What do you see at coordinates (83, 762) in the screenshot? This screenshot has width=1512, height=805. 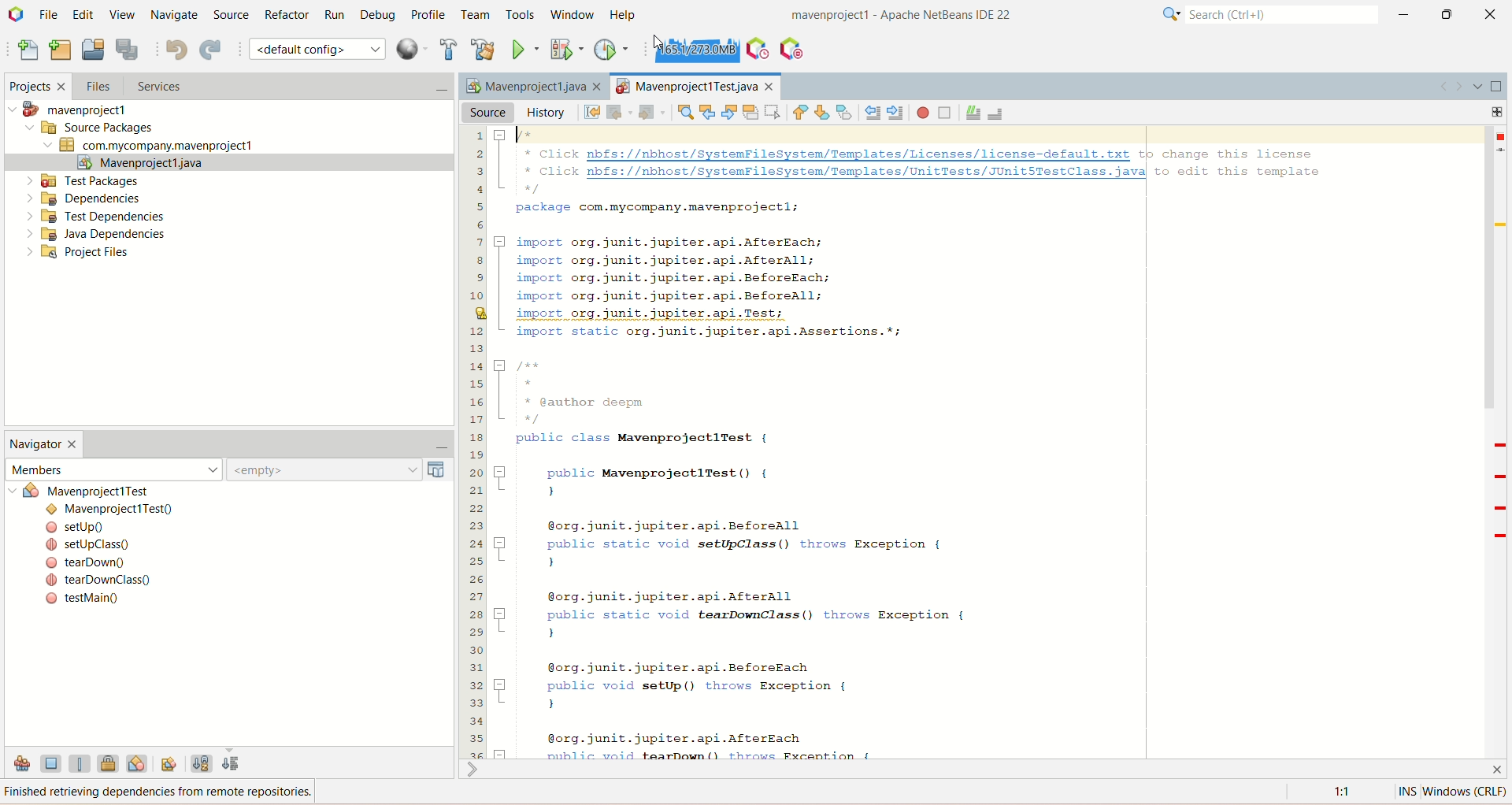 I see `show static members` at bounding box center [83, 762].